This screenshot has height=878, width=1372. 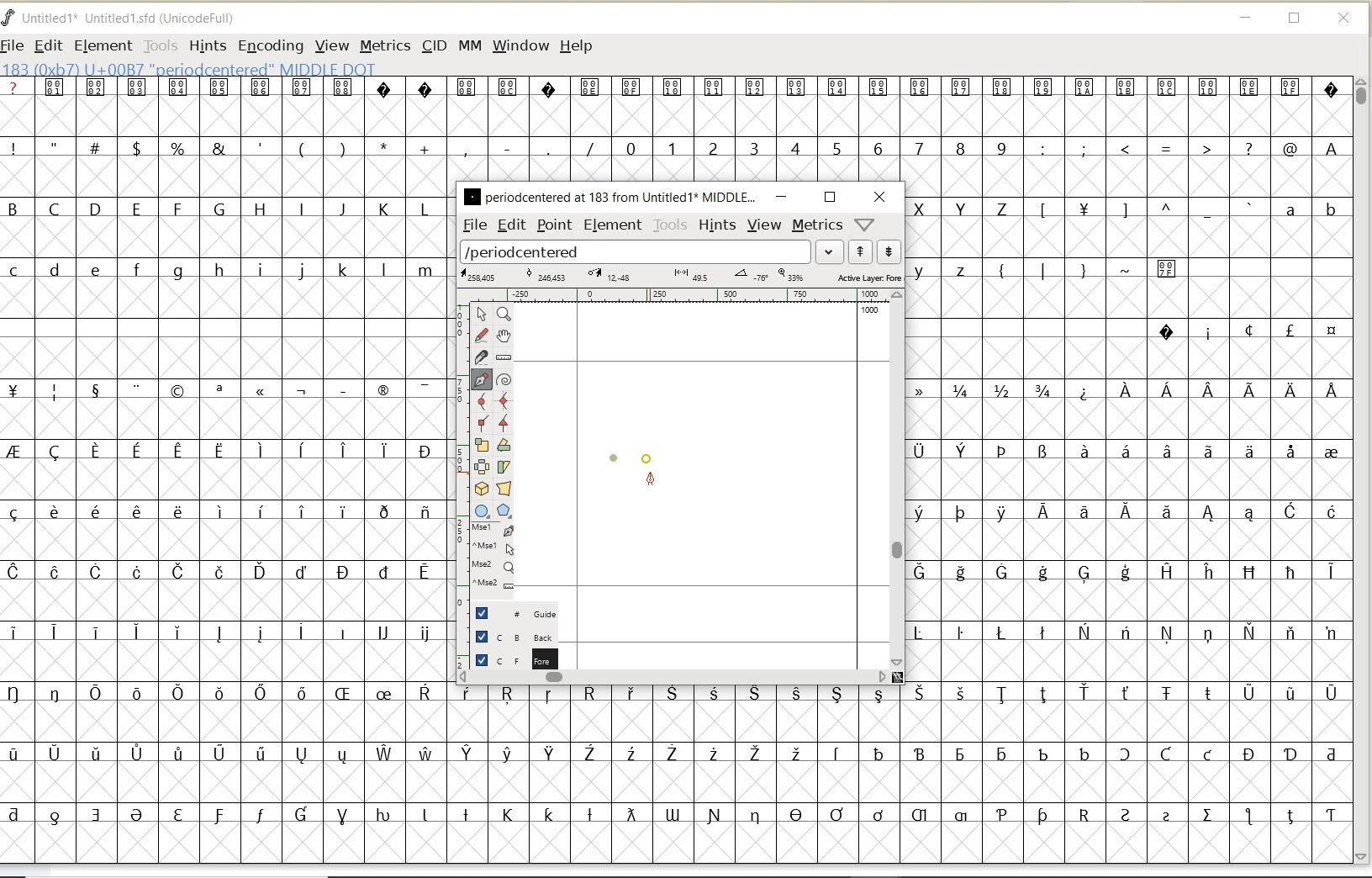 What do you see at coordinates (483, 399) in the screenshot?
I see `add a curve point` at bounding box center [483, 399].